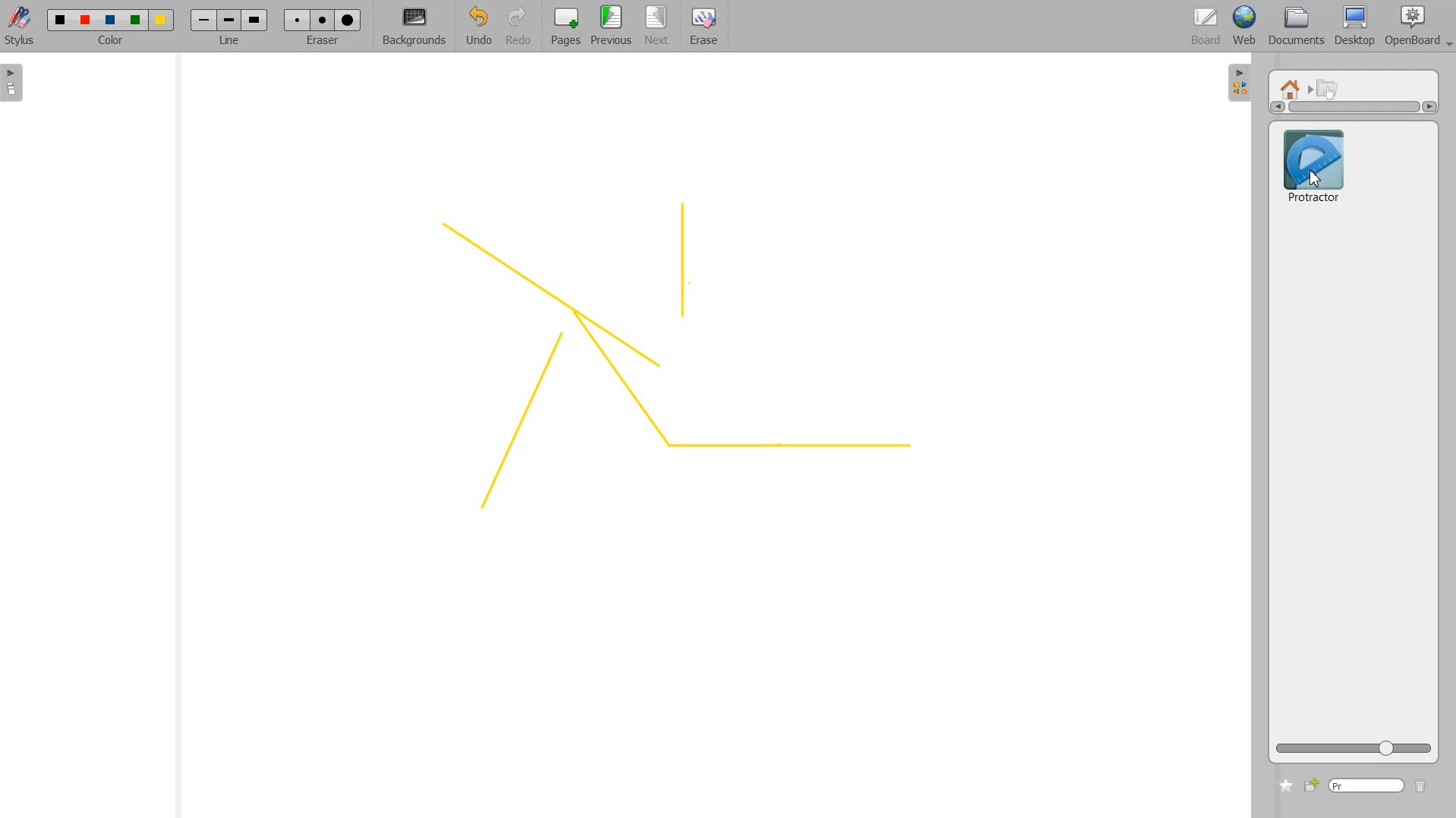  What do you see at coordinates (1206, 27) in the screenshot?
I see `Board` at bounding box center [1206, 27].